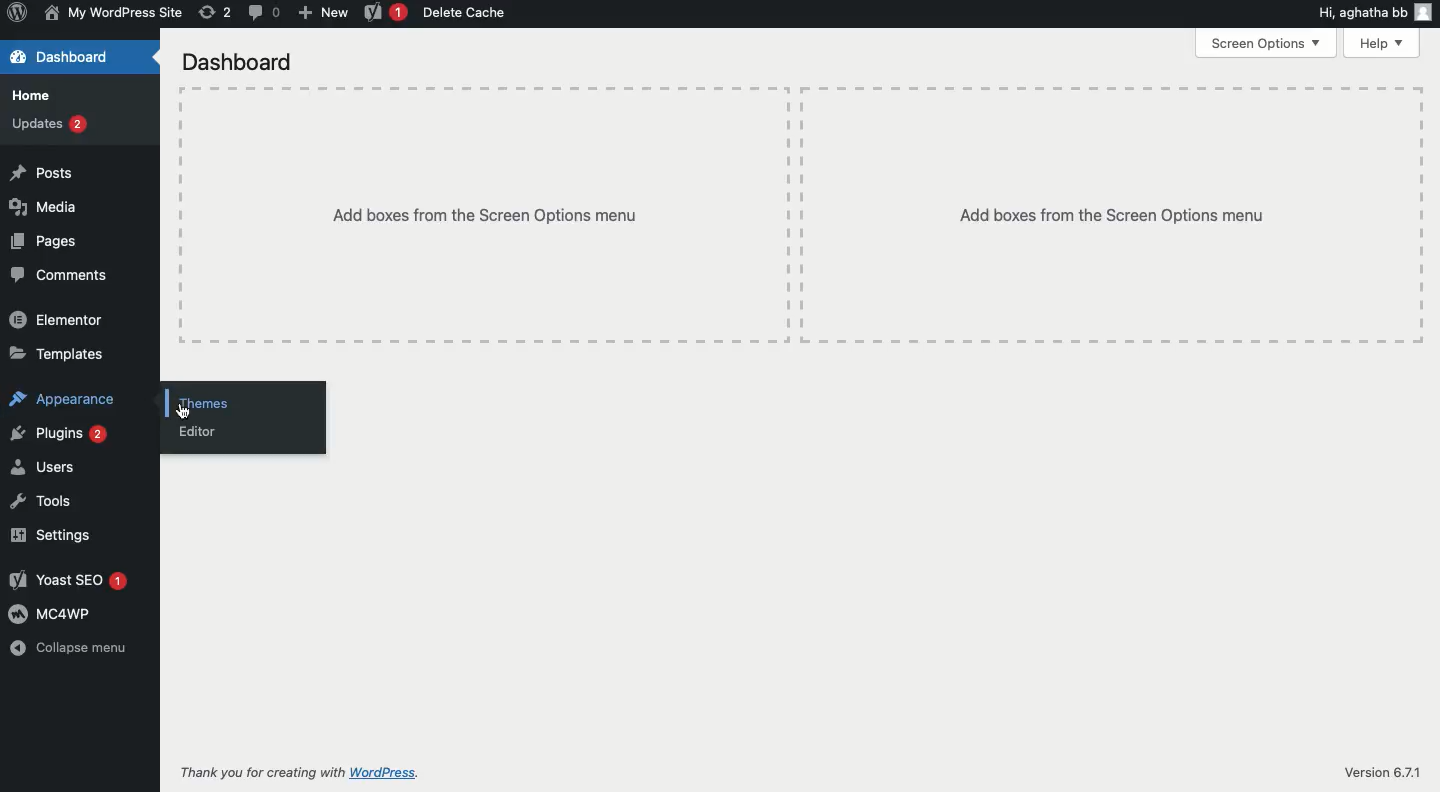 This screenshot has width=1440, height=792. Describe the element at coordinates (183, 410) in the screenshot. I see `cursor` at that location.